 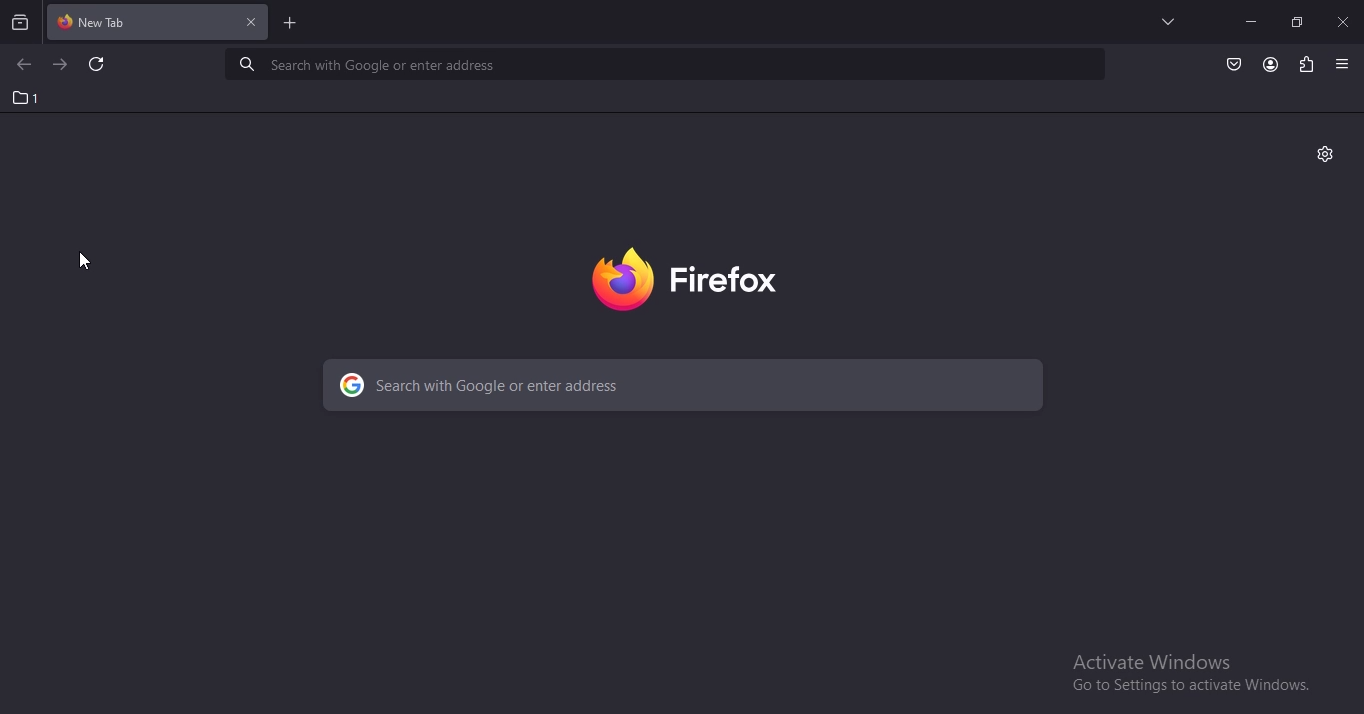 What do you see at coordinates (21, 21) in the screenshot?
I see `search tabs` at bounding box center [21, 21].